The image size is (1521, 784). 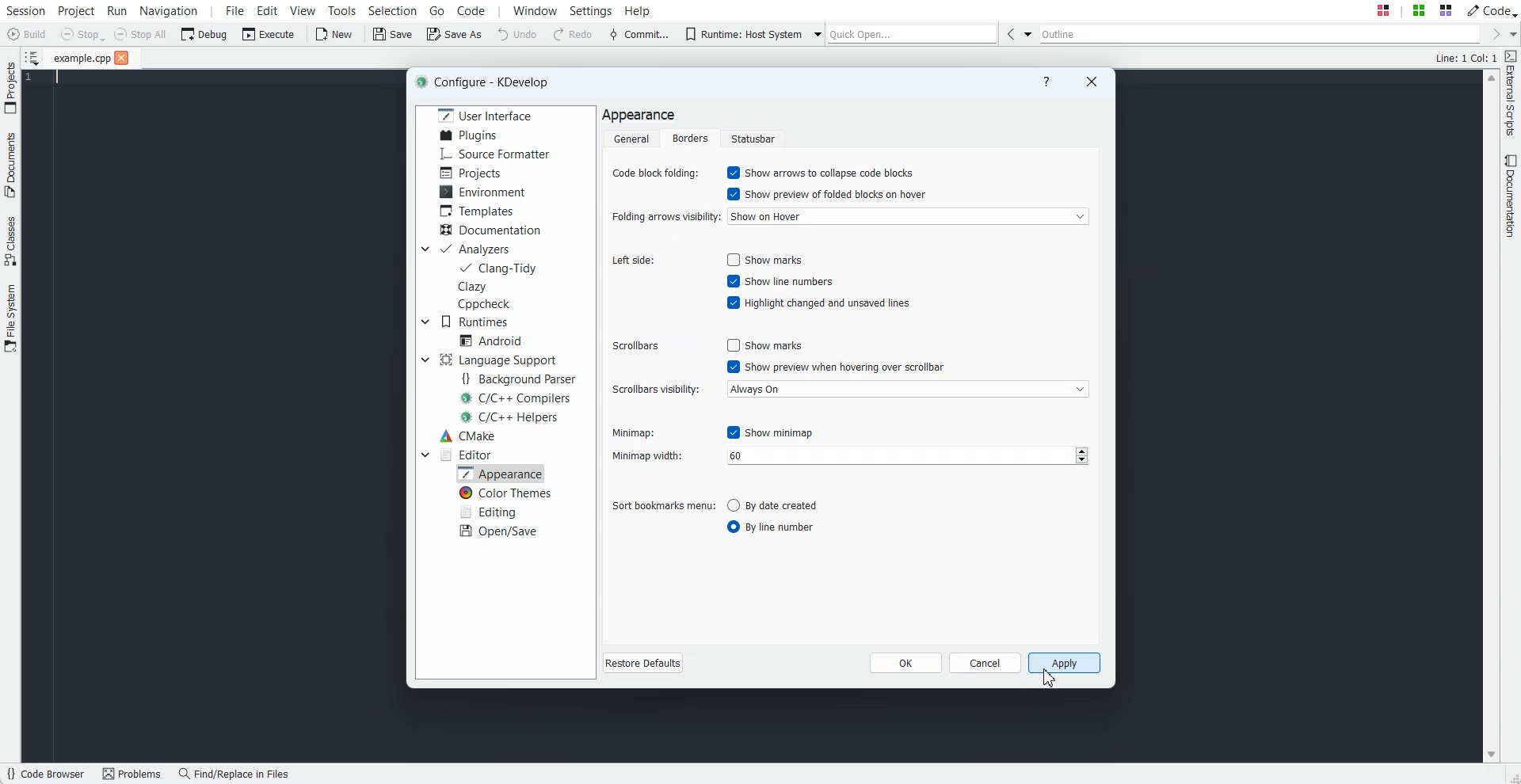 What do you see at coordinates (500, 474) in the screenshot?
I see `Appearance selected` at bounding box center [500, 474].